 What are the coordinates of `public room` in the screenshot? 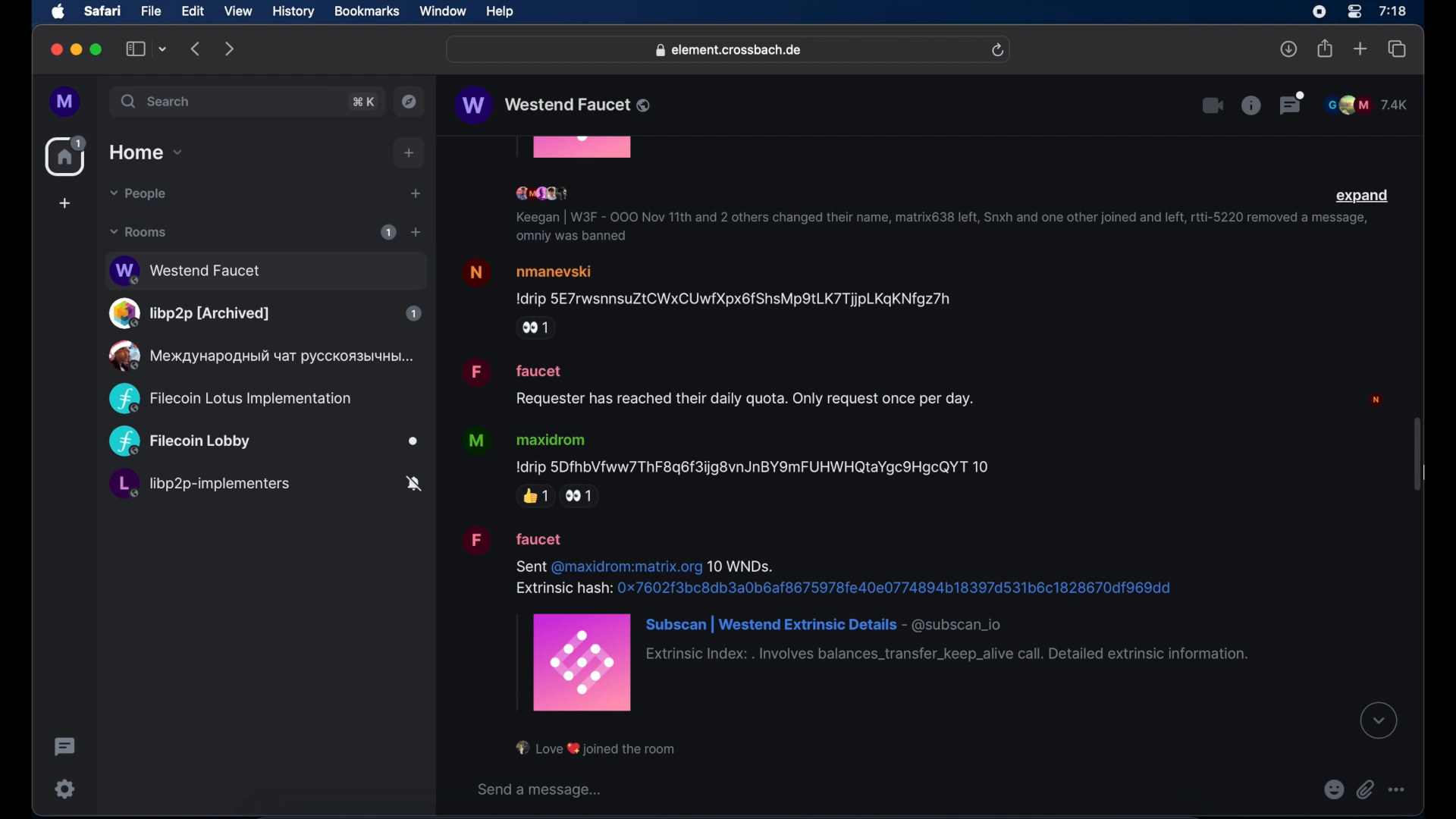 It's located at (264, 442).